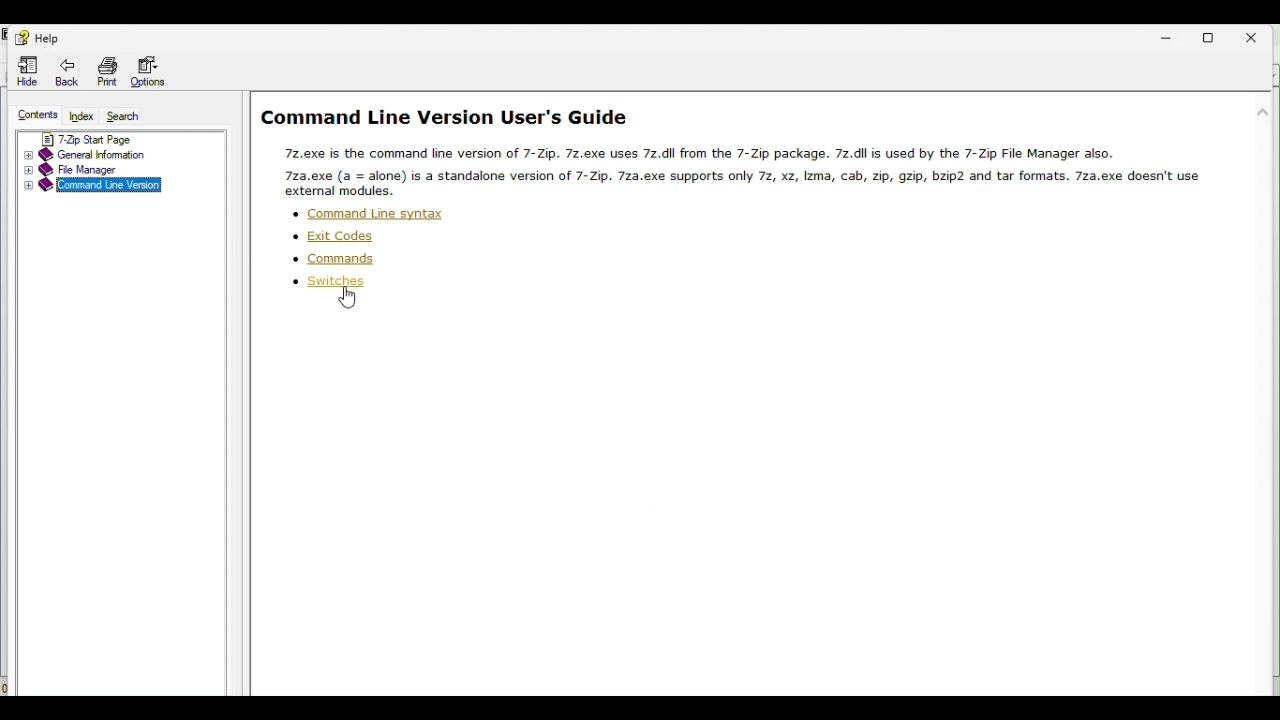  Describe the element at coordinates (66, 68) in the screenshot. I see `Back` at that location.